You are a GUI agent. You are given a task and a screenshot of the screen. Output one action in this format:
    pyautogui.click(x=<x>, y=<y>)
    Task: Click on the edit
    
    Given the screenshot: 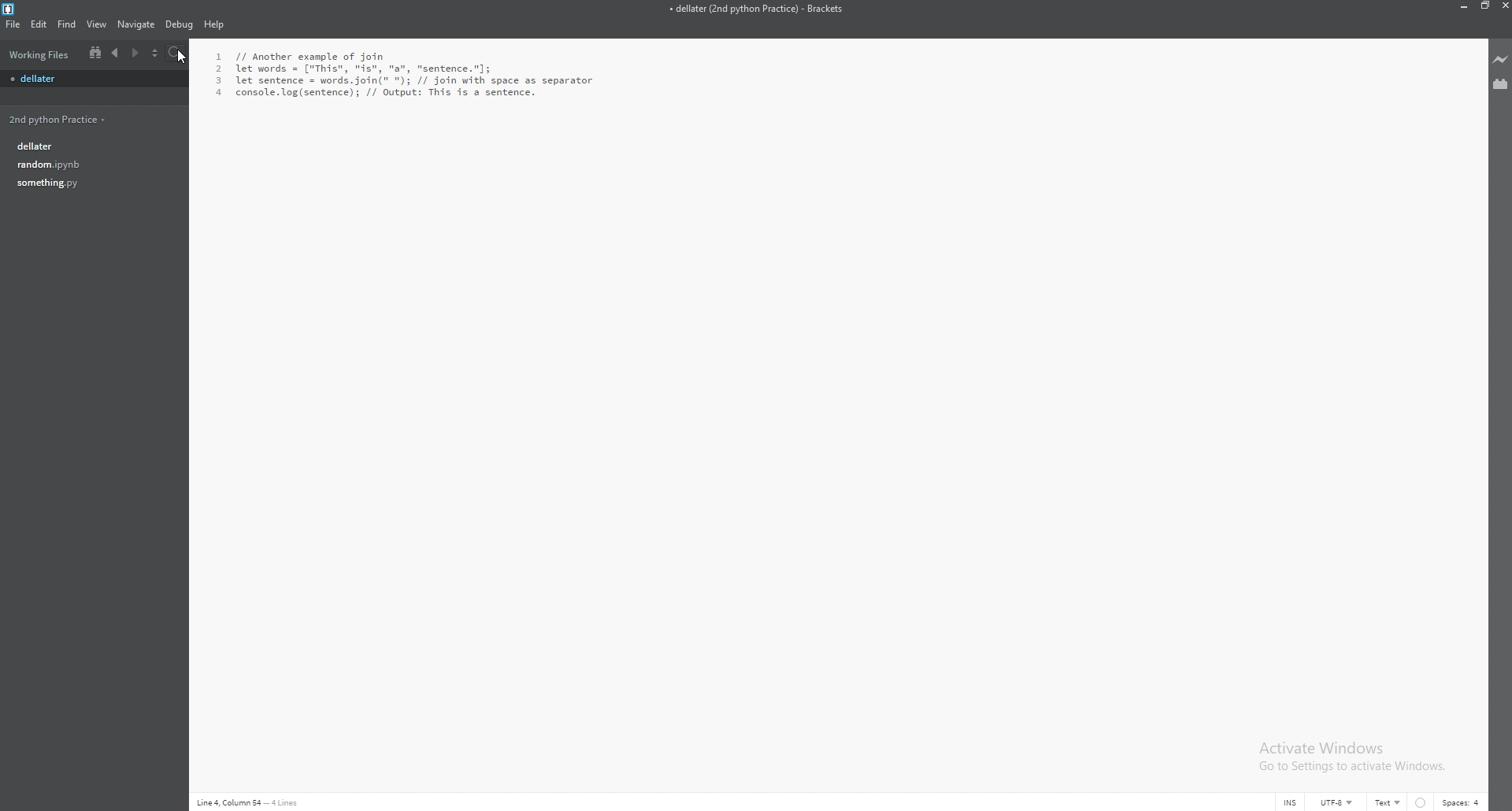 What is the action you would take?
    pyautogui.click(x=38, y=25)
    